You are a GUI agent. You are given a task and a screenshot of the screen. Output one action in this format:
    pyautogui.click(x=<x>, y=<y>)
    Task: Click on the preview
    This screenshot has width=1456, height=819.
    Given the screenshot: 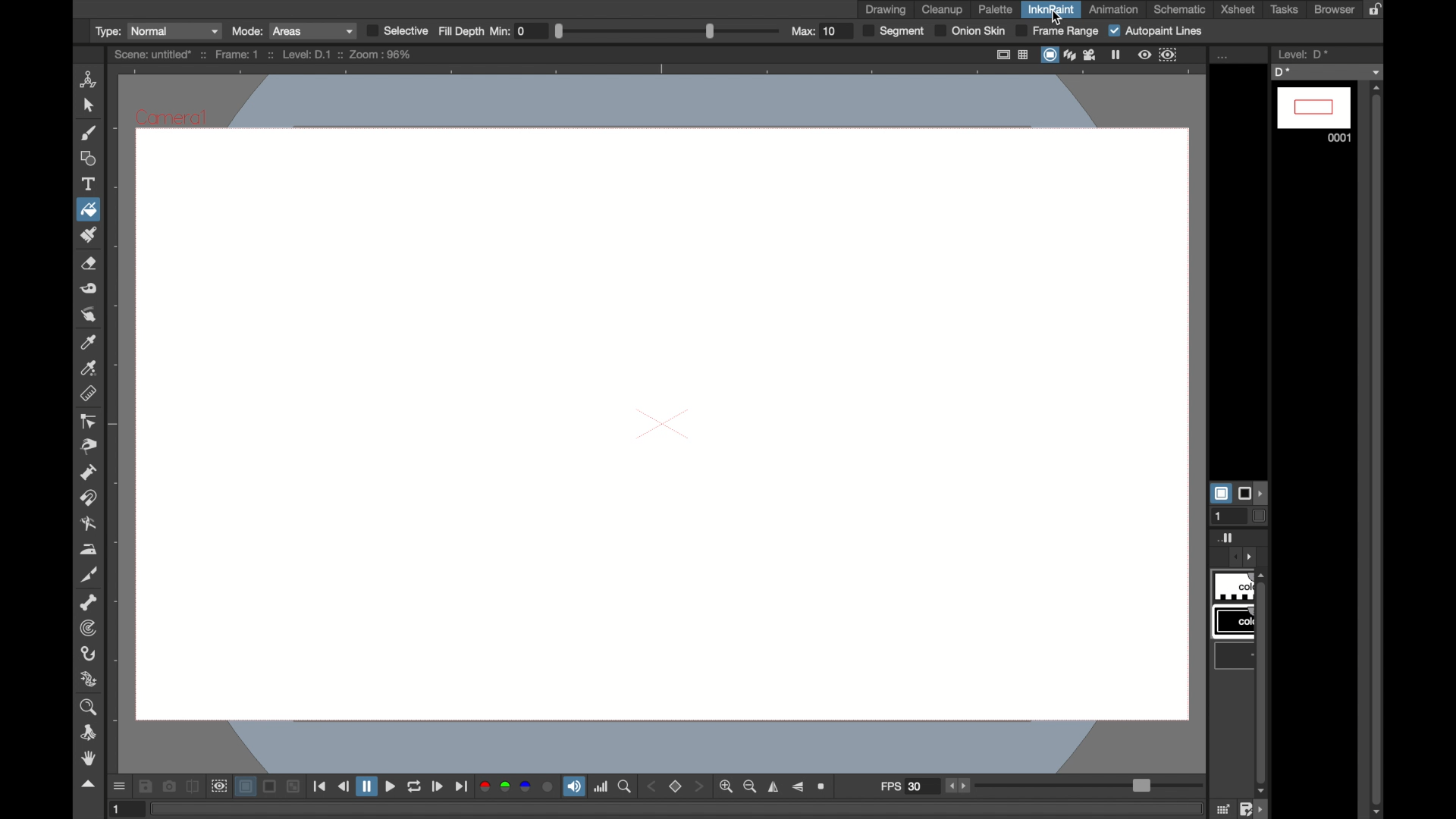 What is the action you would take?
    pyautogui.click(x=219, y=787)
    